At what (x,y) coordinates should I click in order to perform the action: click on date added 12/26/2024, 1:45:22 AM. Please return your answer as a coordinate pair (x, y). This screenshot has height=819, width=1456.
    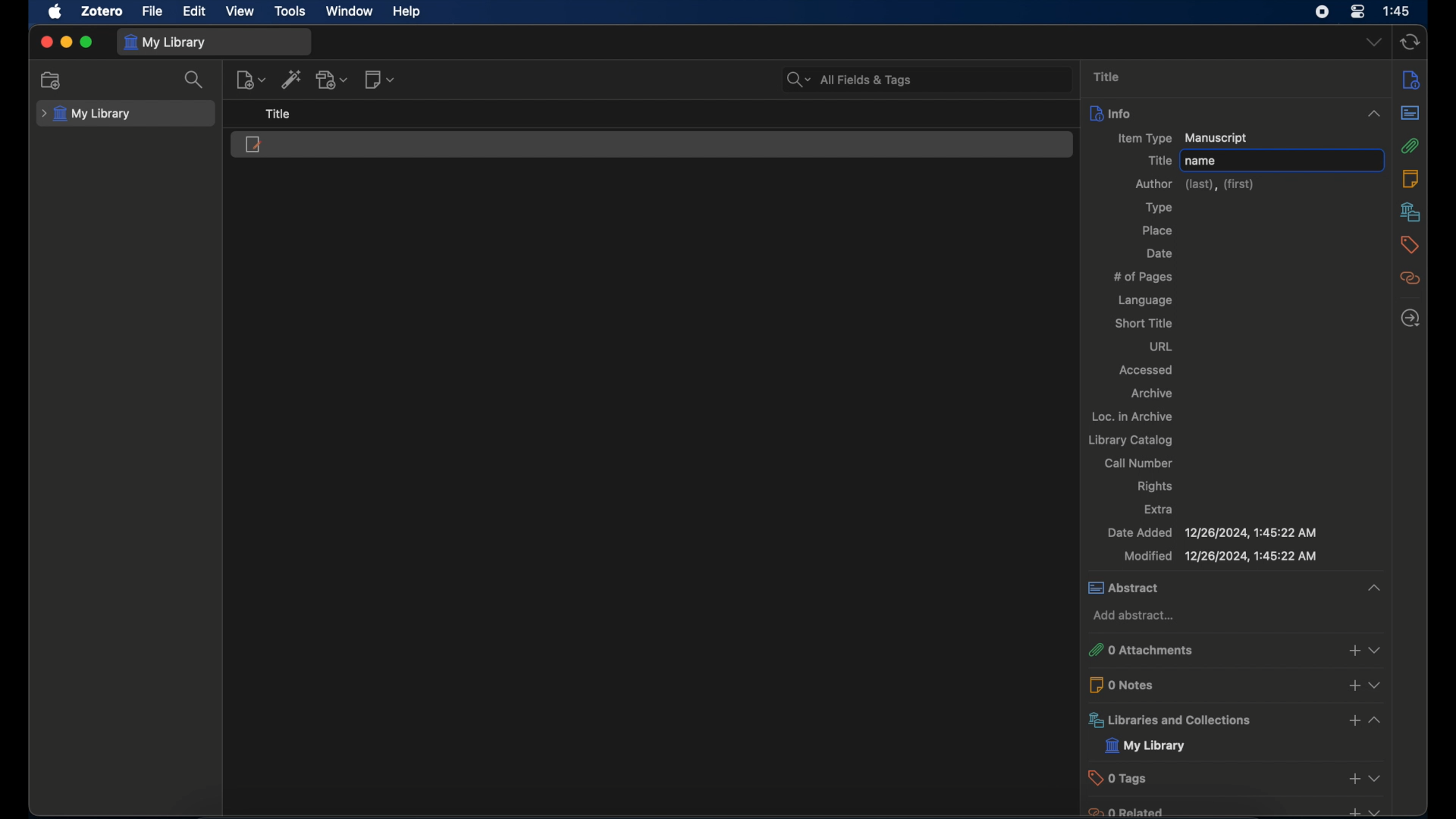
    Looking at the image, I should click on (1211, 533).